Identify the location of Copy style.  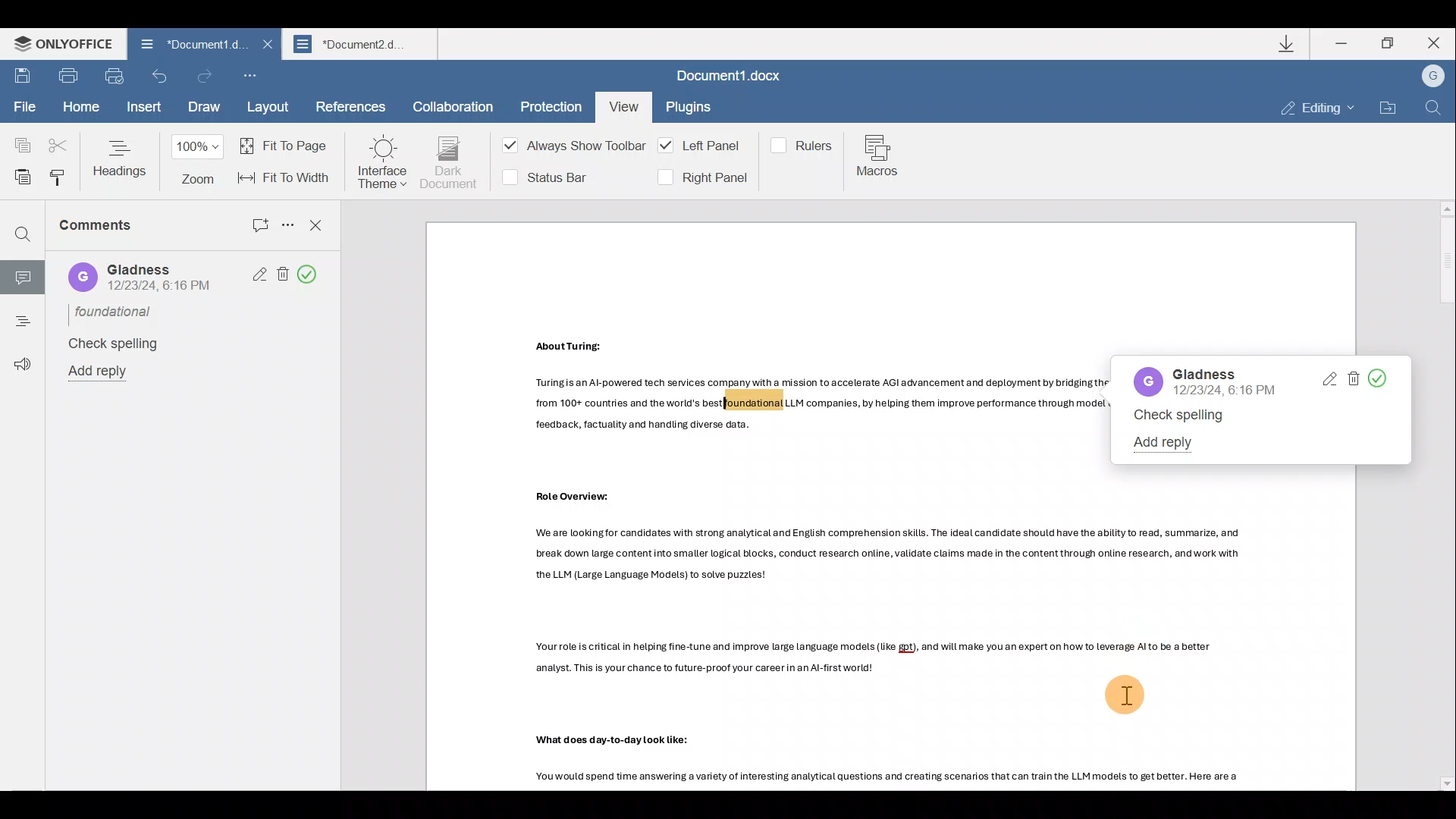
(58, 177).